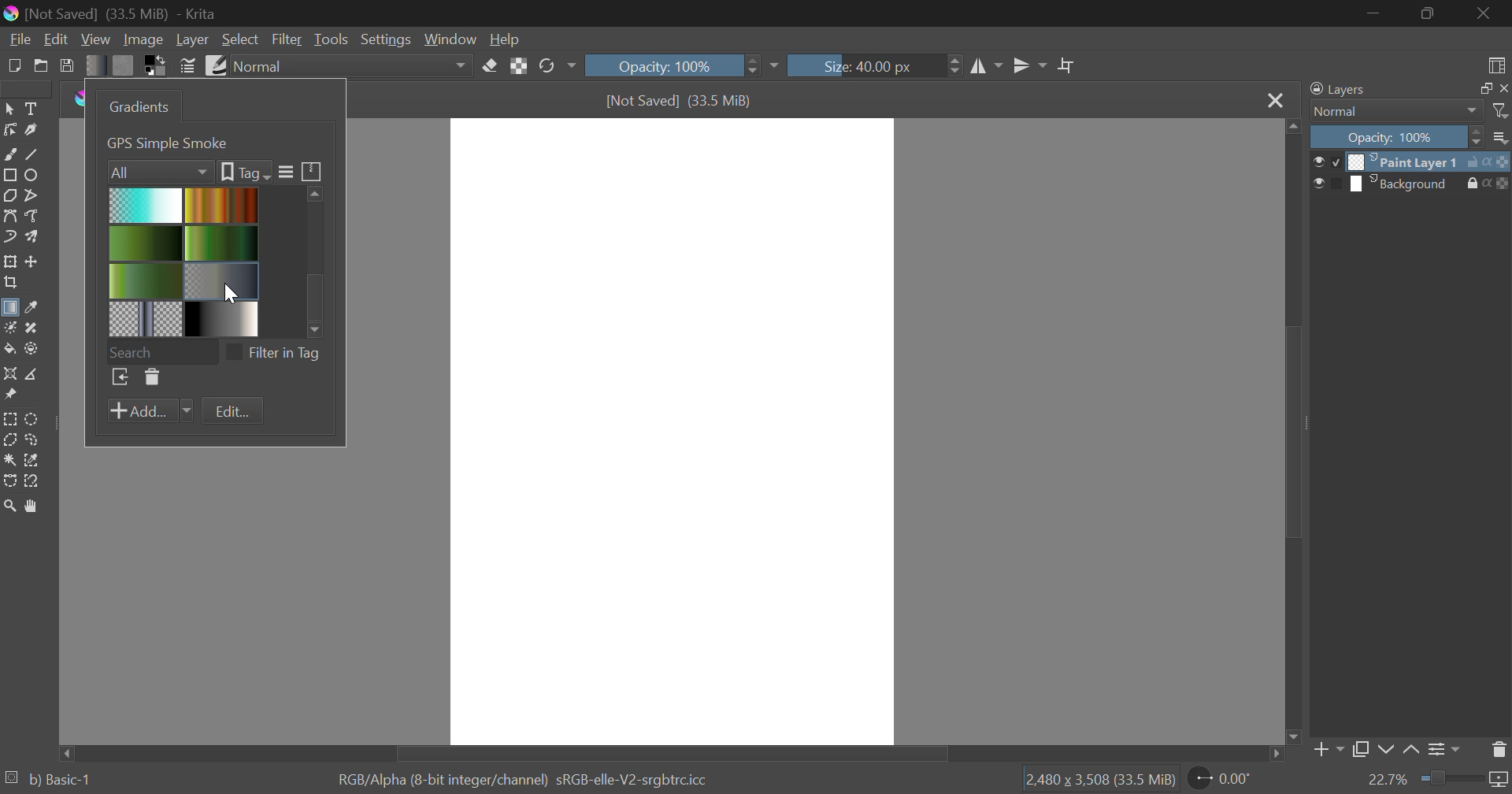 The image size is (1512, 794). I want to click on Gradient 8, so click(219, 318).